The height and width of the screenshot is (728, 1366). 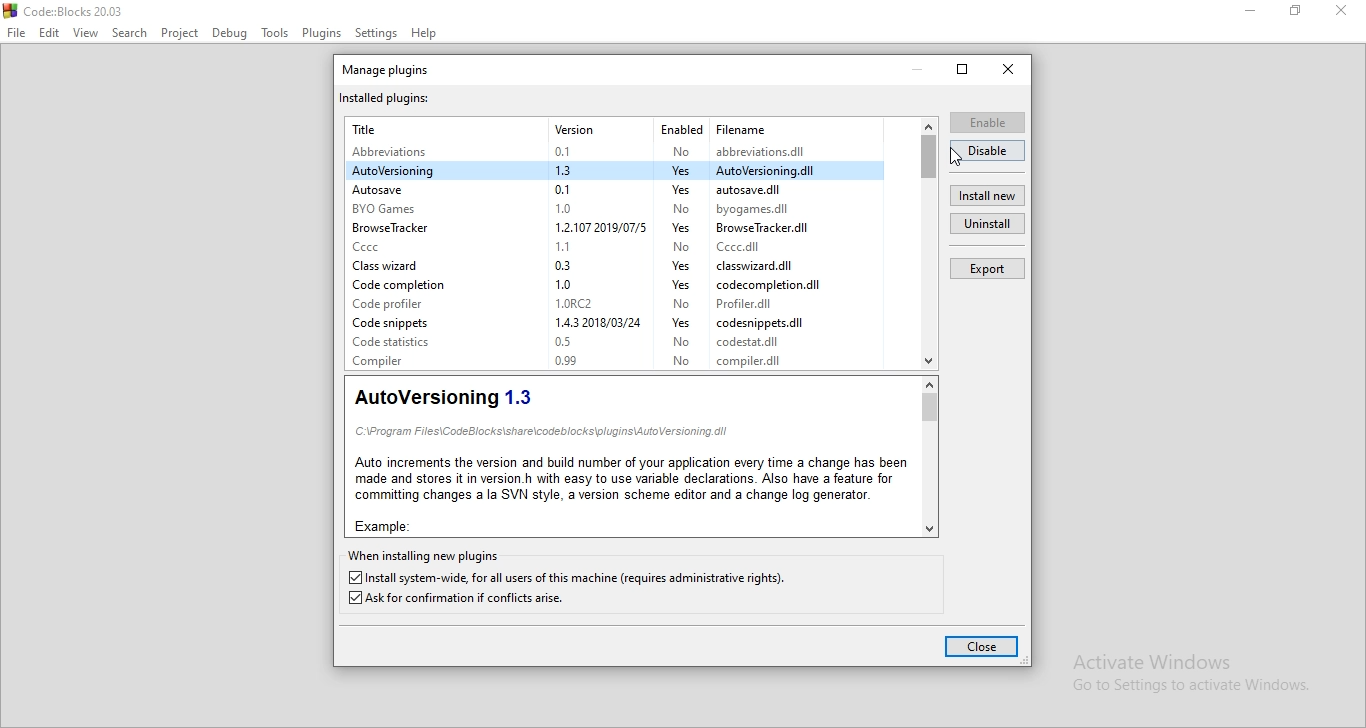 What do you see at coordinates (406, 360) in the screenshot?
I see `Compiler ` at bounding box center [406, 360].